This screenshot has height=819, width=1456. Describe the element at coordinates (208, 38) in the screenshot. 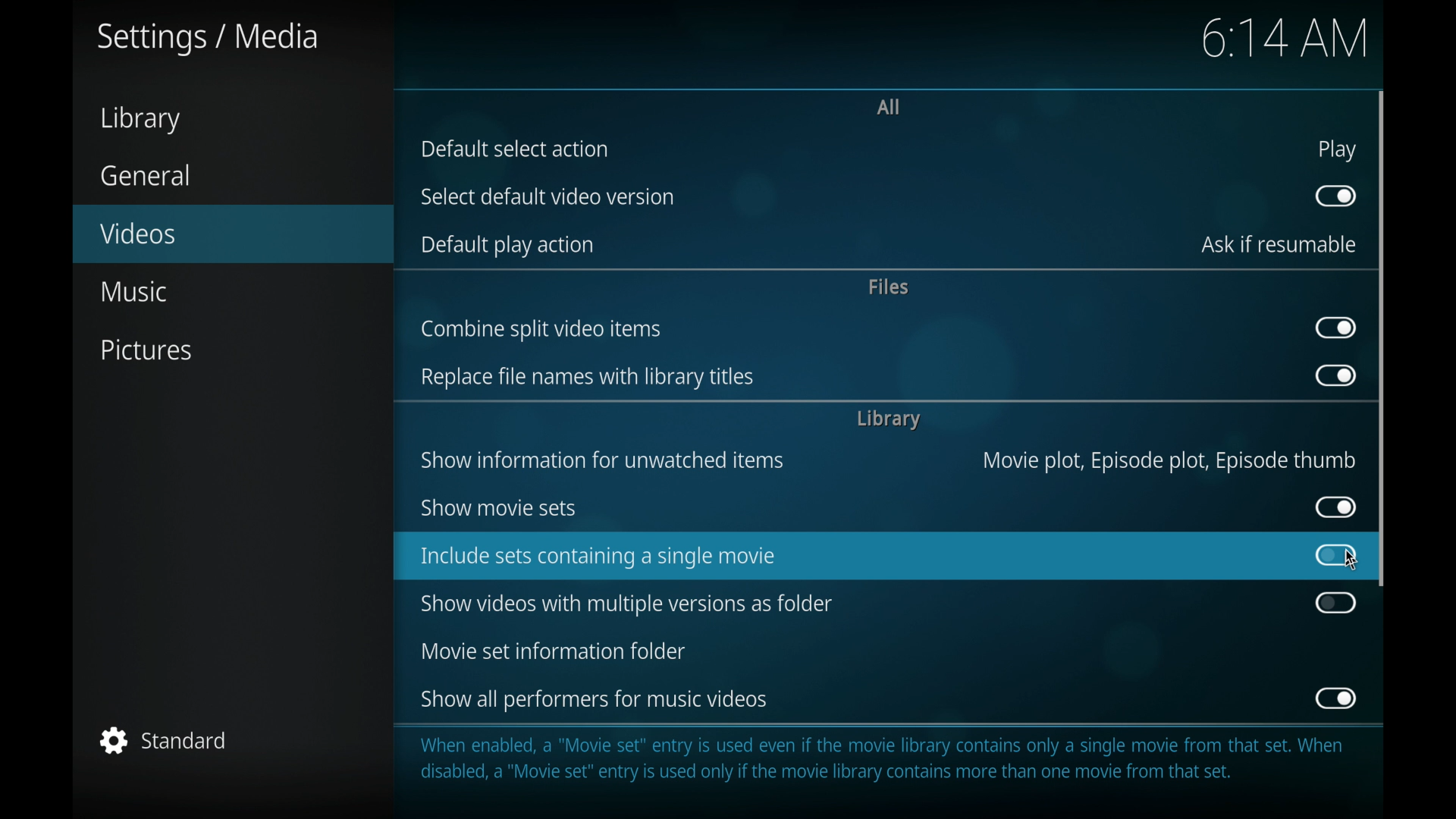

I see `settings` at that location.